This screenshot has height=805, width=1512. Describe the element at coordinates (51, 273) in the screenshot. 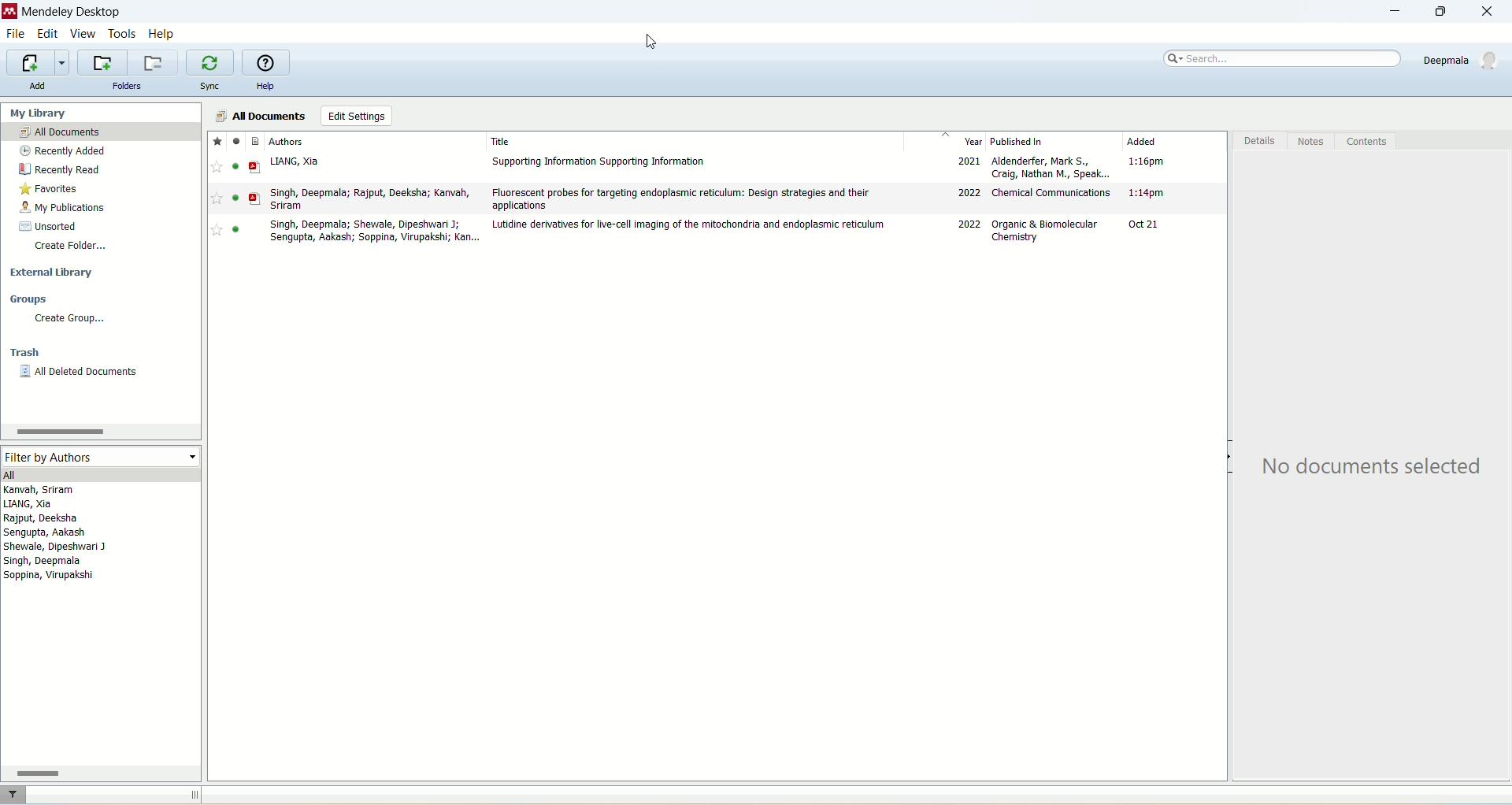

I see `external library` at that location.